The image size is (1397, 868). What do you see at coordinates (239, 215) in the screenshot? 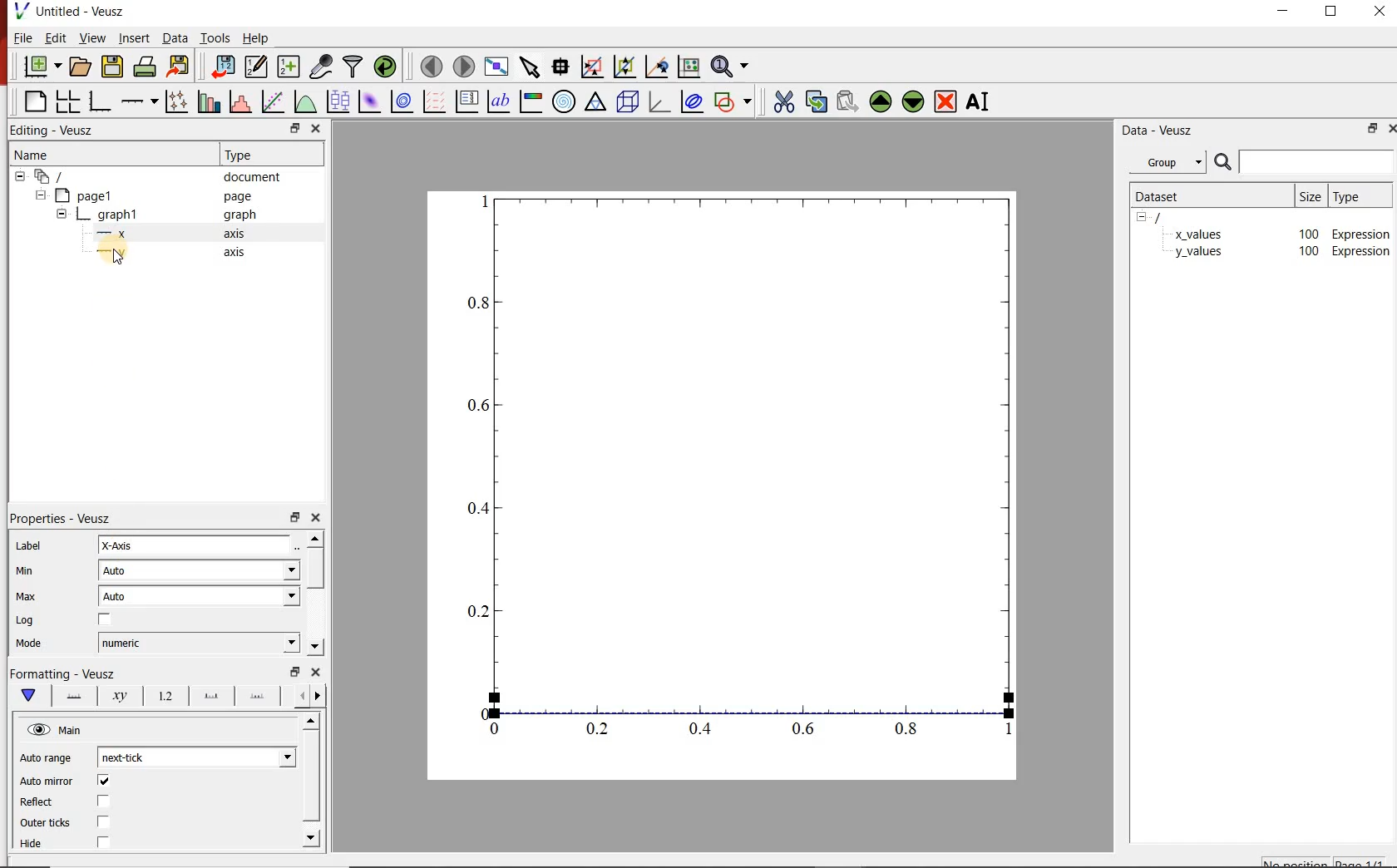
I see `graph` at bounding box center [239, 215].